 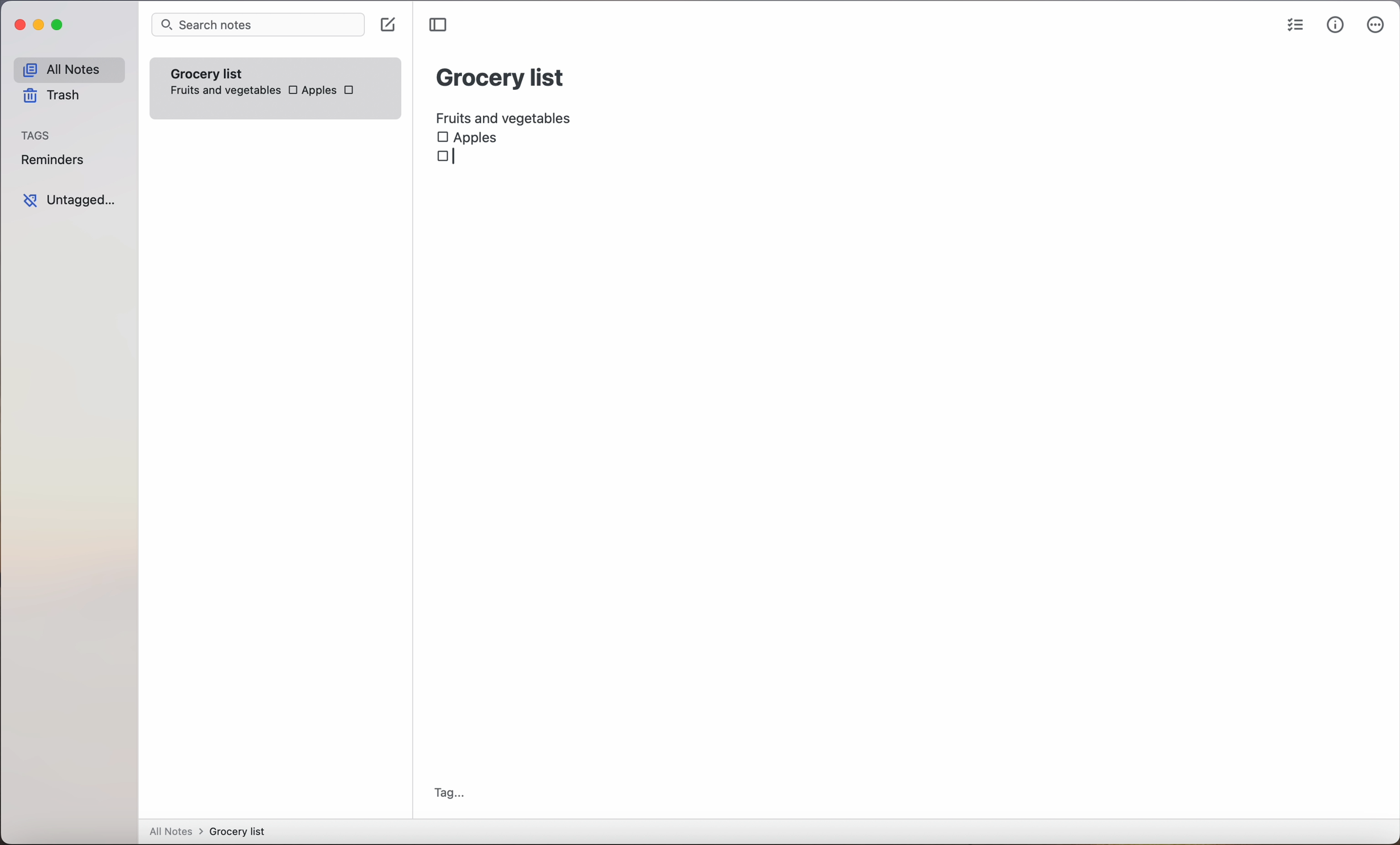 I want to click on tags, so click(x=37, y=136).